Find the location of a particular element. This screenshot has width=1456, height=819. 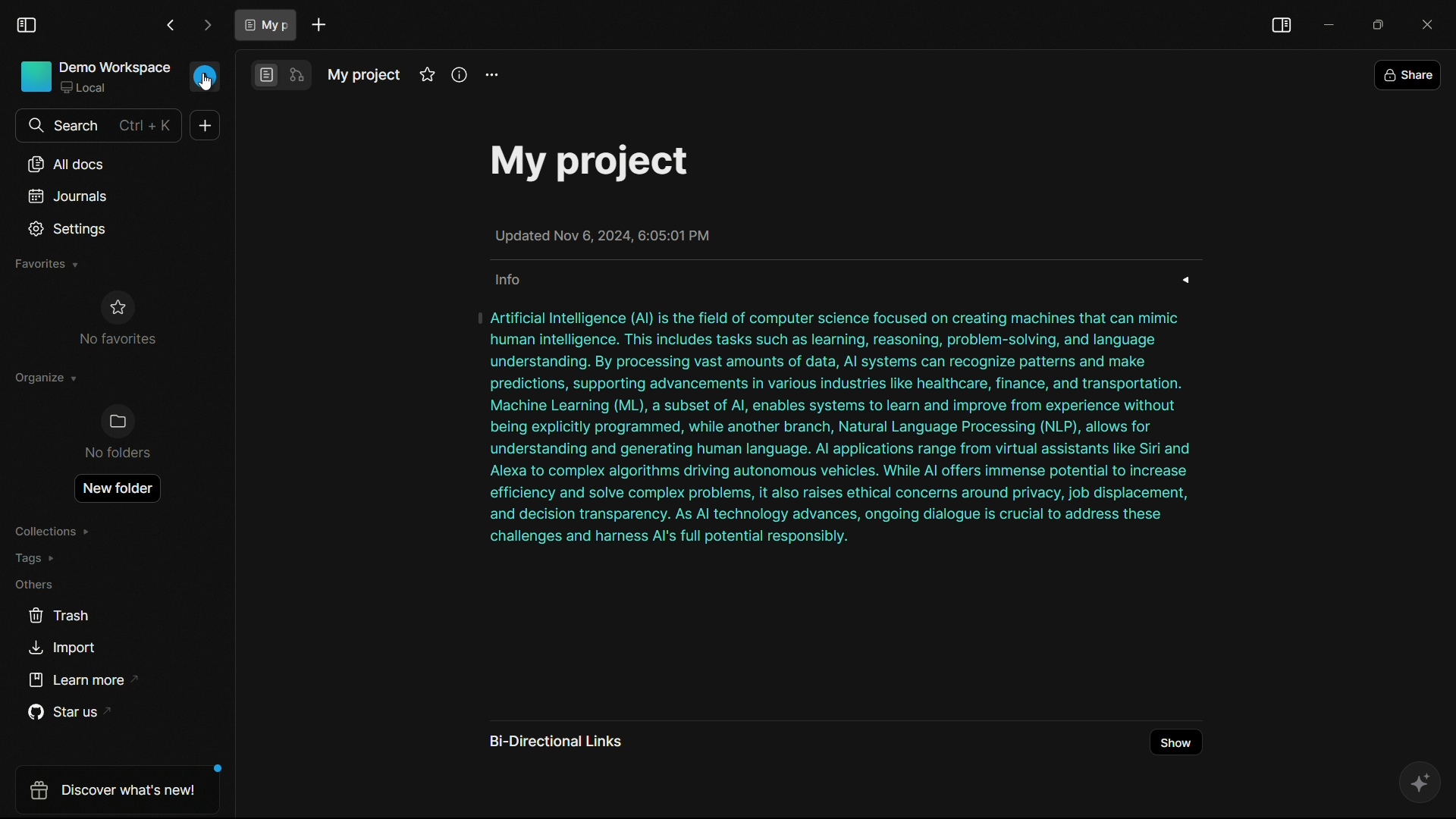

discover what's new is located at coordinates (117, 791).